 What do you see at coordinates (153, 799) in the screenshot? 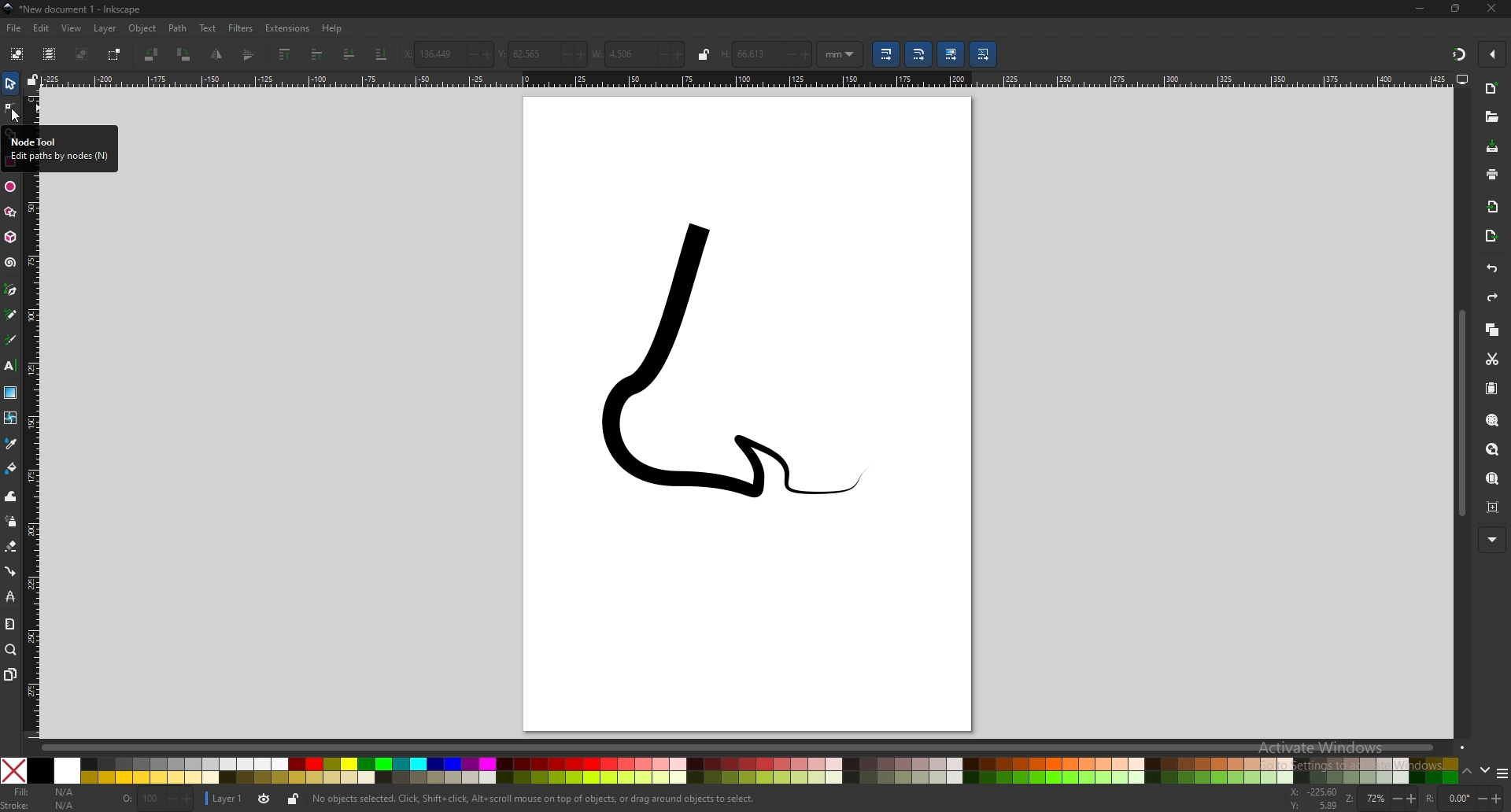
I see `opacity` at bounding box center [153, 799].